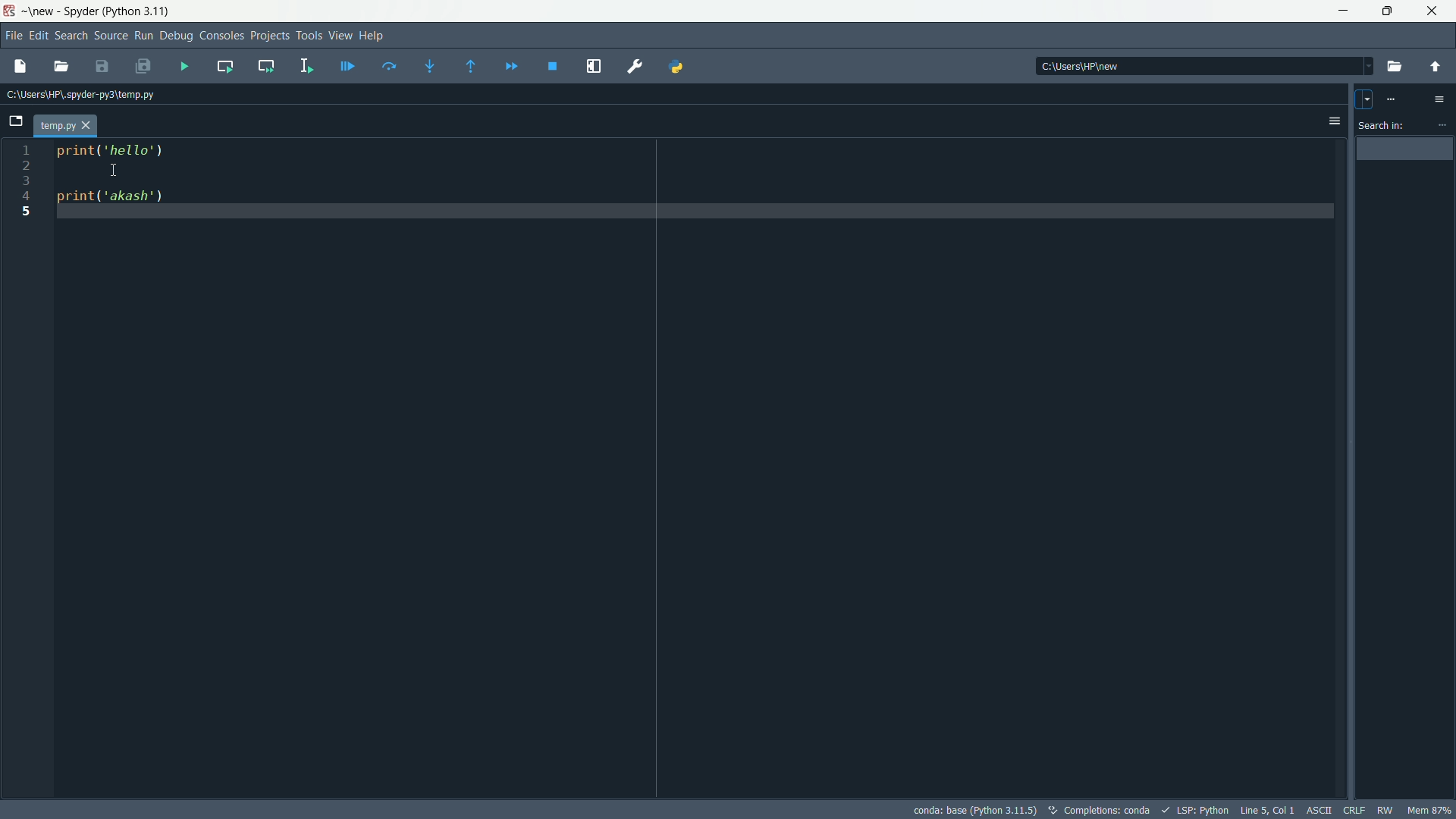  What do you see at coordinates (61, 68) in the screenshot?
I see `open file` at bounding box center [61, 68].